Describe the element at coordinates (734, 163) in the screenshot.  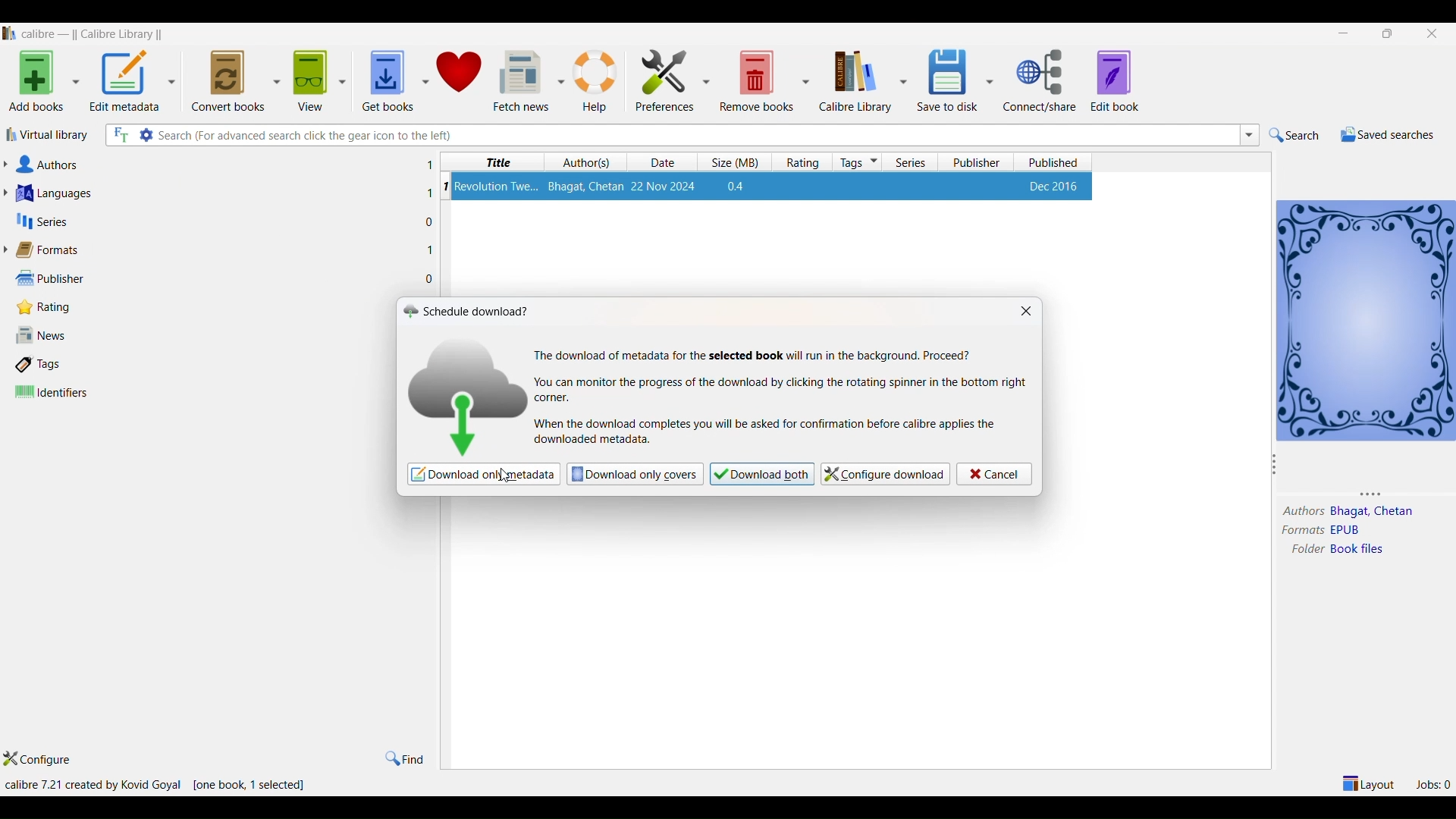
I see `size` at that location.